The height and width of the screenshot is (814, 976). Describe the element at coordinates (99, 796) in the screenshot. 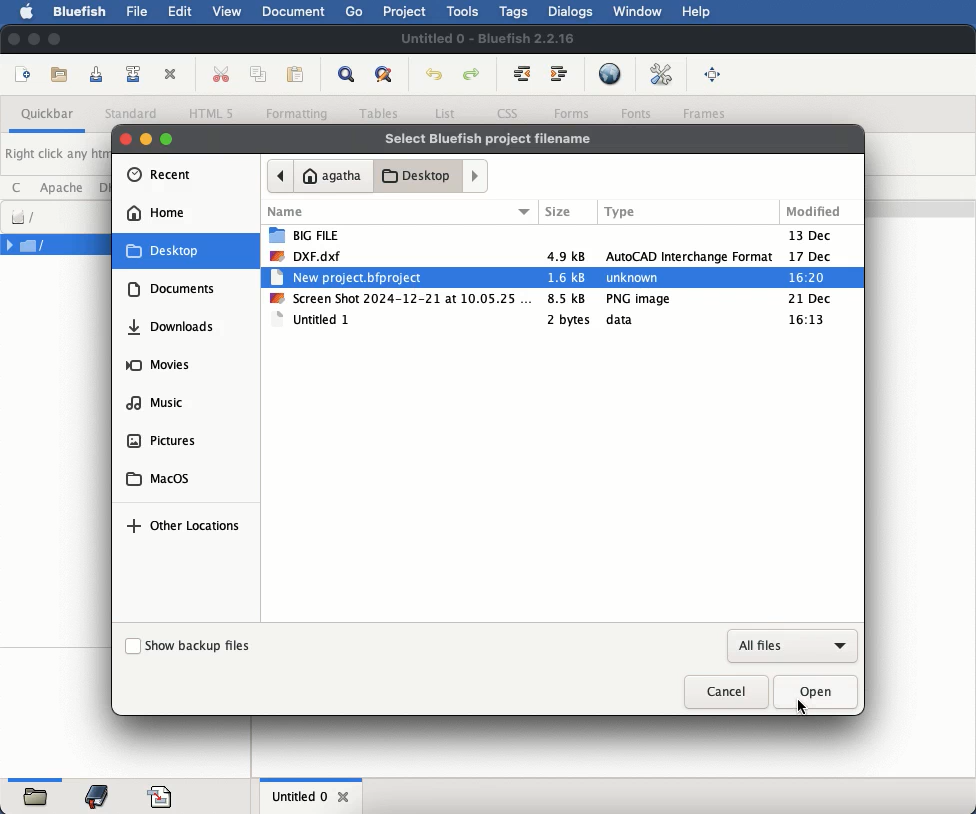

I see `bookmark` at that location.